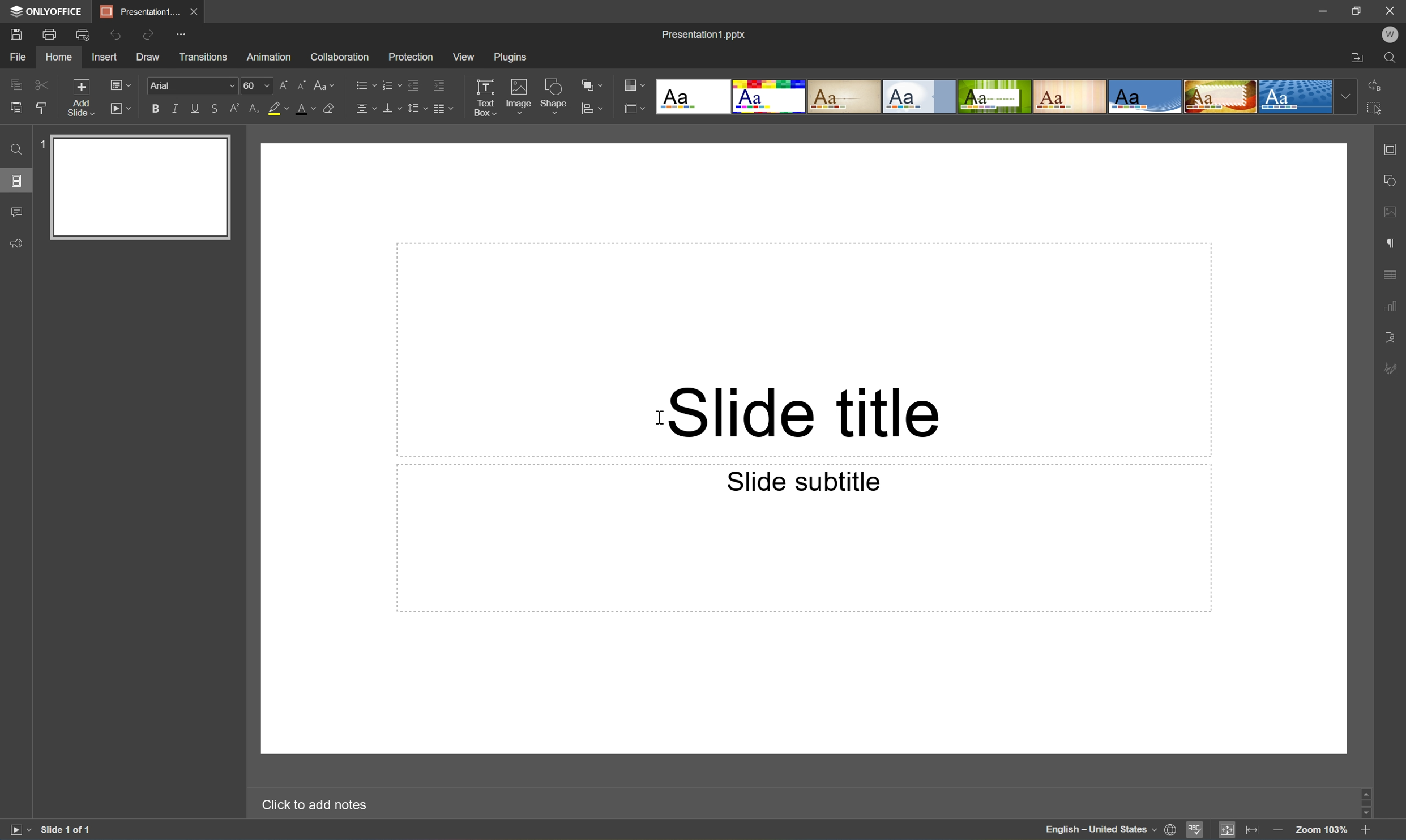 This screenshot has height=840, width=1406. I want to click on Italic, so click(173, 108).